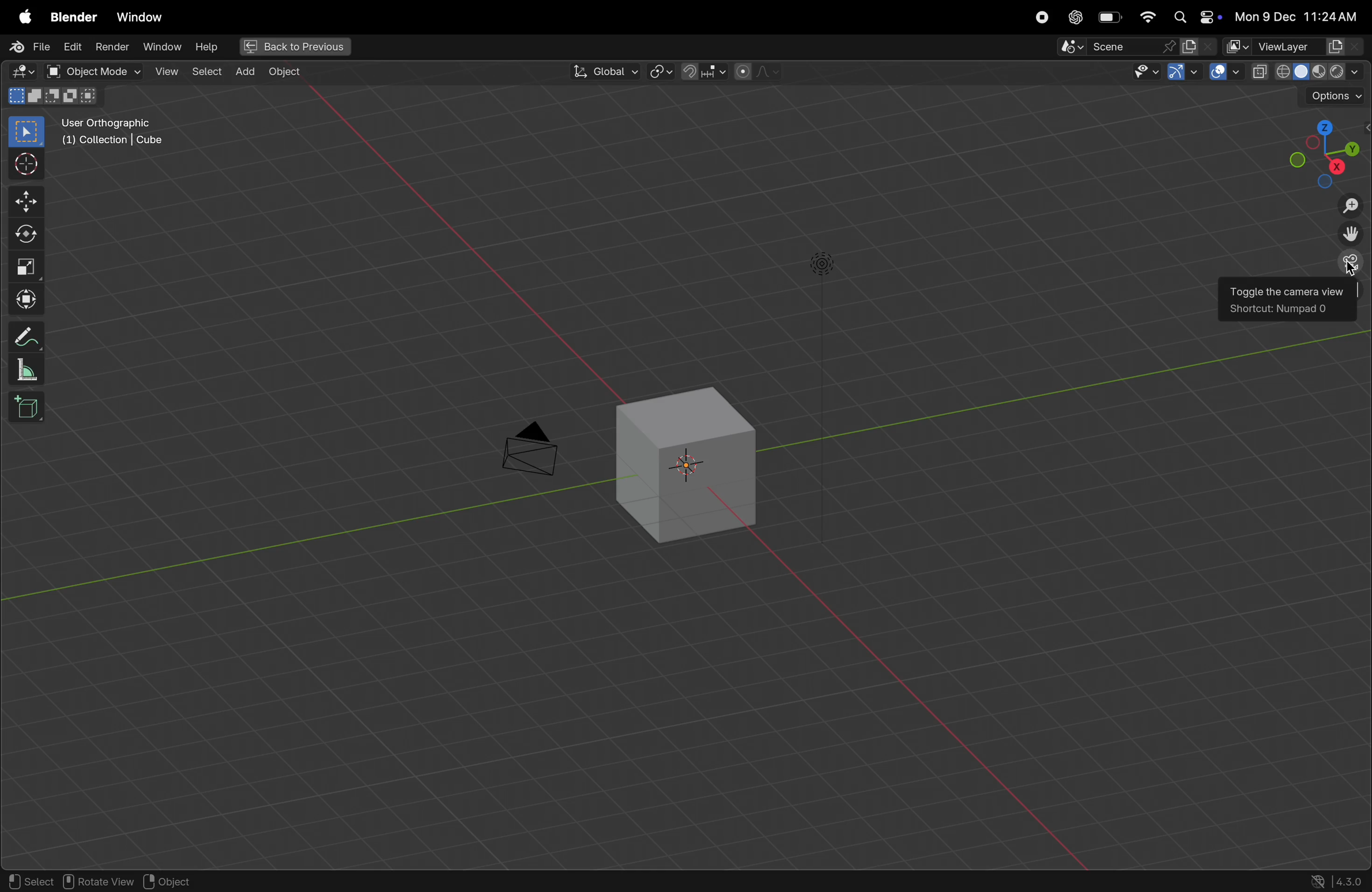 This screenshot has width=1372, height=892. What do you see at coordinates (163, 70) in the screenshot?
I see `view` at bounding box center [163, 70].